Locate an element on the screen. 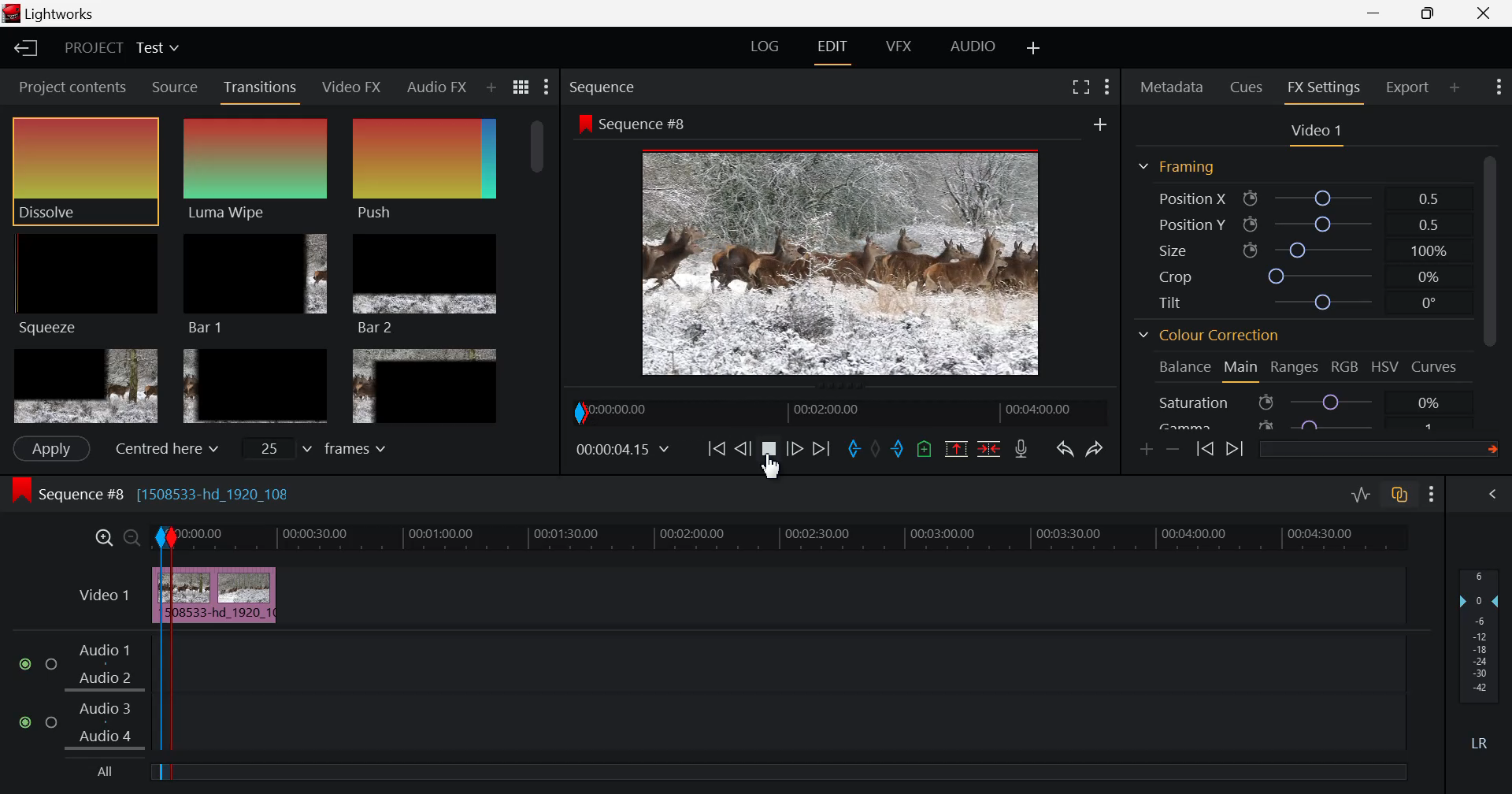  Bar 1 is located at coordinates (255, 285).